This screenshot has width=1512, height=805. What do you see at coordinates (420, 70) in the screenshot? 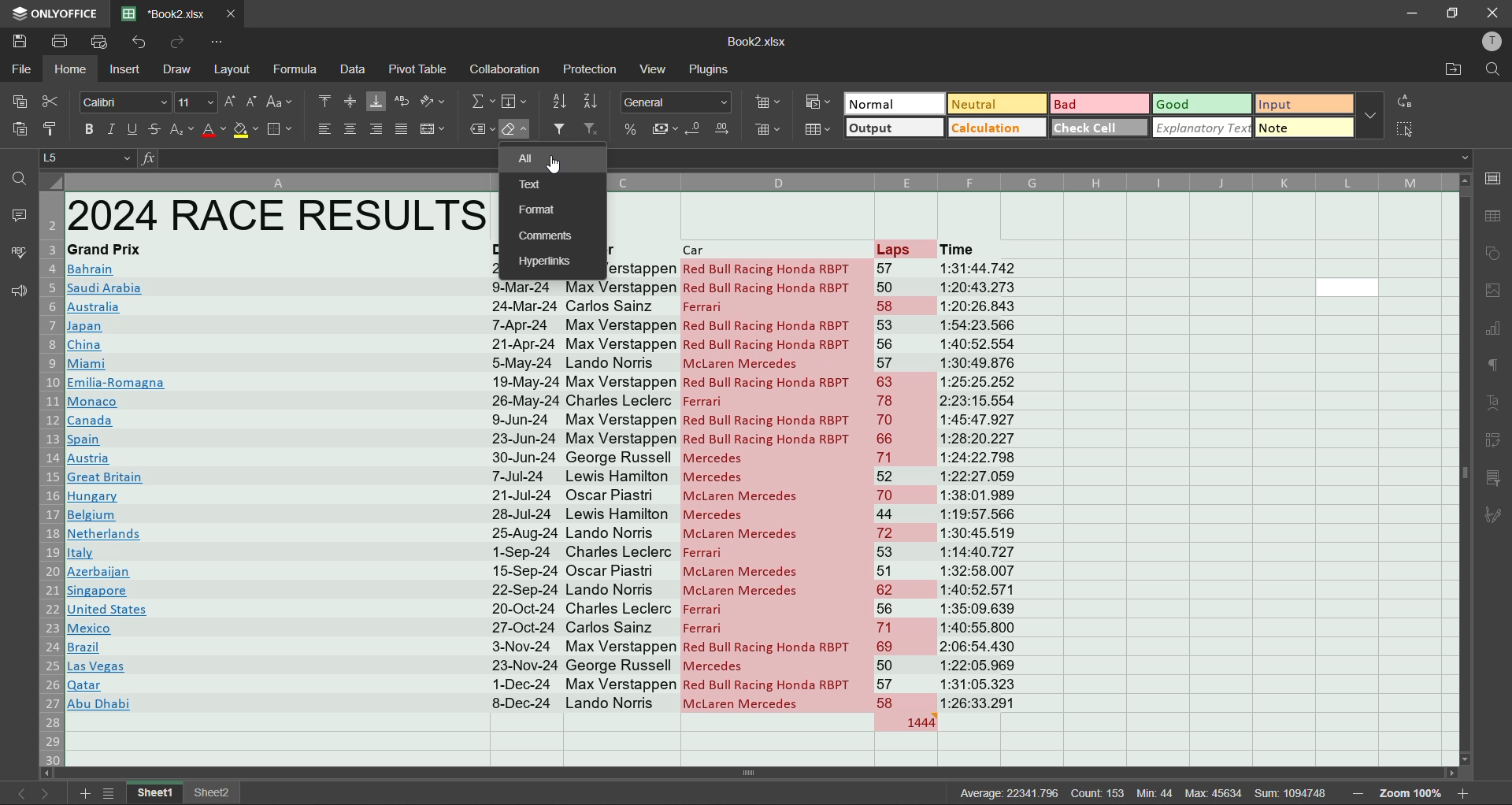
I see `pivot table` at bounding box center [420, 70].